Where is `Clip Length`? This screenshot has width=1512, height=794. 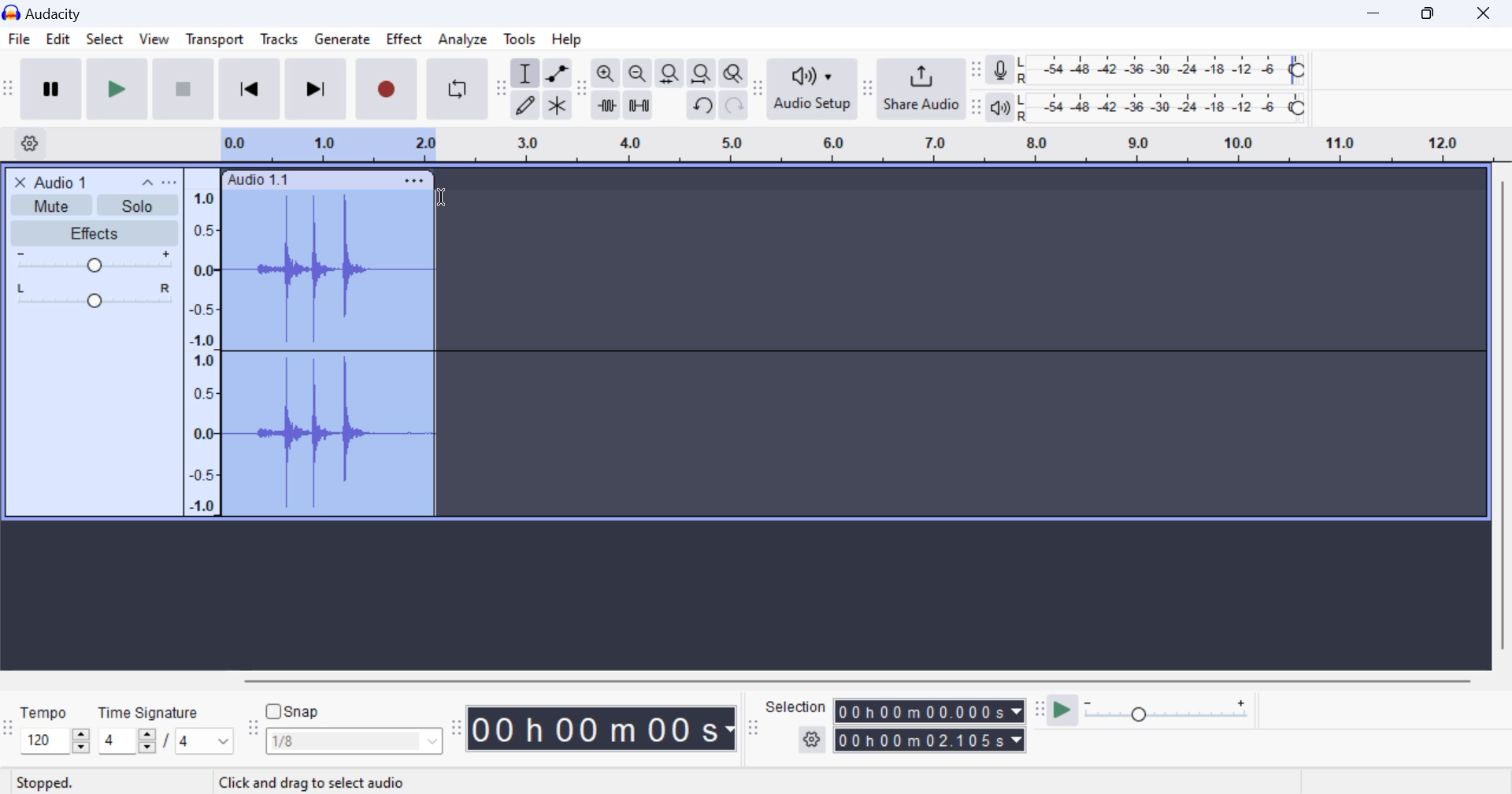 Clip Length is located at coordinates (605, 728).